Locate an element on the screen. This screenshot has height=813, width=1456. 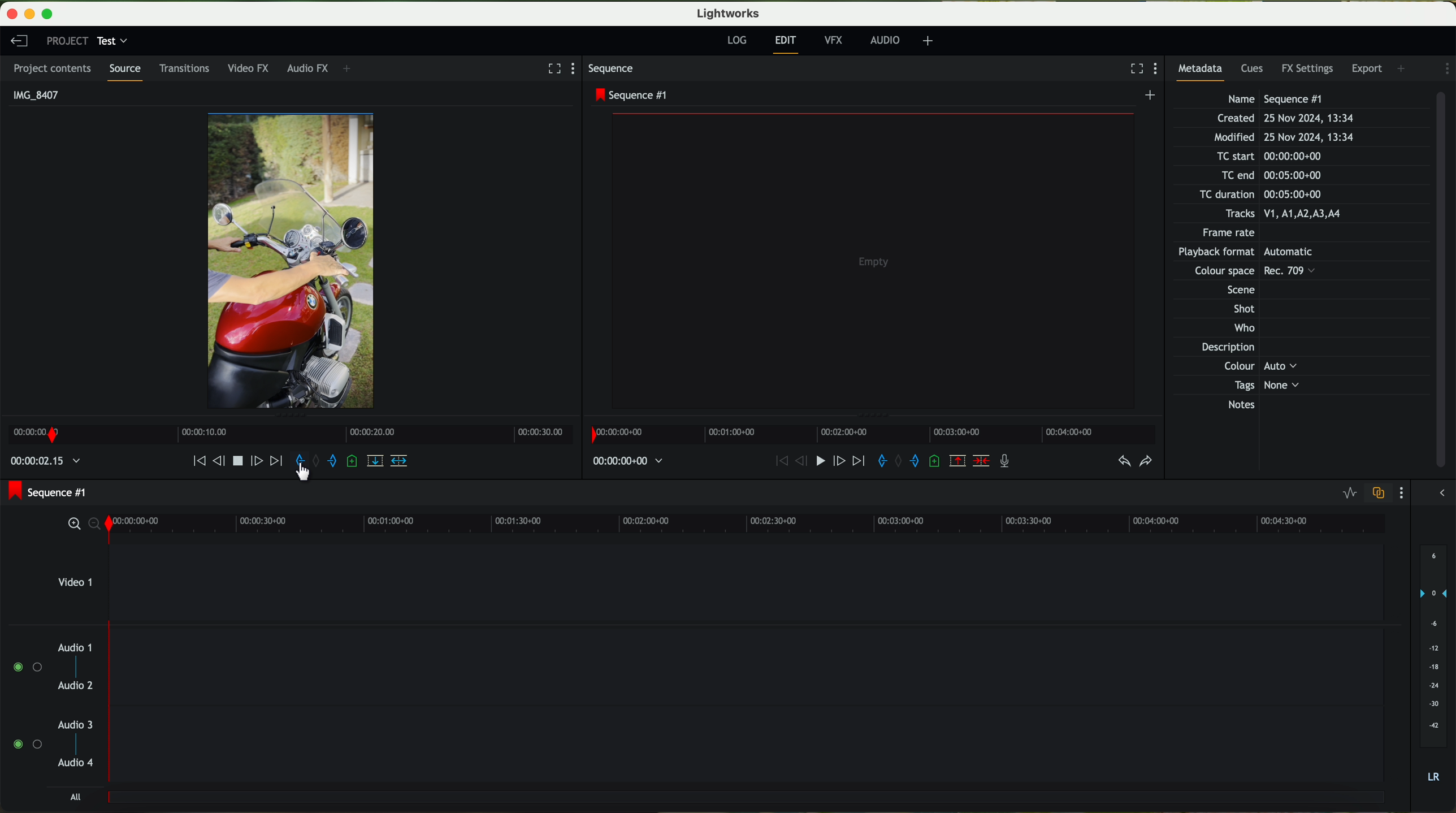
Frame rate is located at coordinates (1232, 235).